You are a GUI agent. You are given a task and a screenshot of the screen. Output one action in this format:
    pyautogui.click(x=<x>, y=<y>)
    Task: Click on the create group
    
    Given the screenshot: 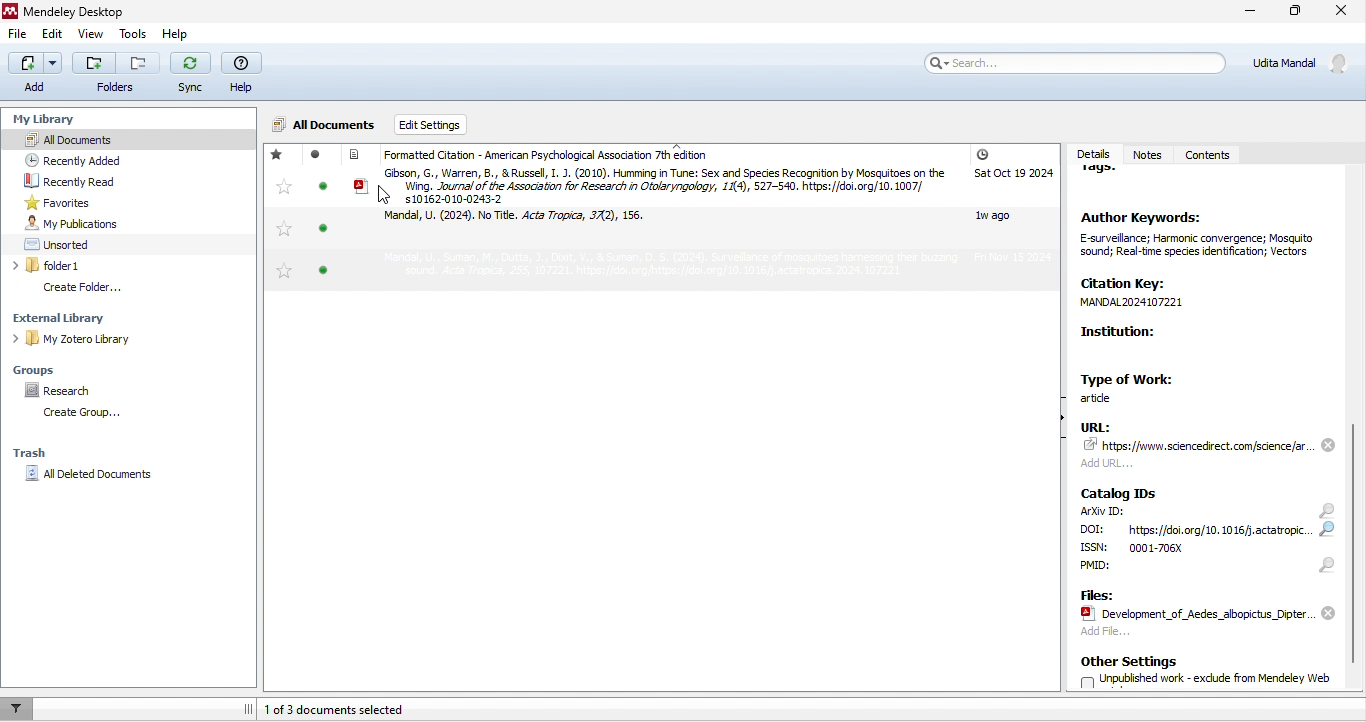 What is the action you would take?
    pyautogui.click(x=86, y=414)
    